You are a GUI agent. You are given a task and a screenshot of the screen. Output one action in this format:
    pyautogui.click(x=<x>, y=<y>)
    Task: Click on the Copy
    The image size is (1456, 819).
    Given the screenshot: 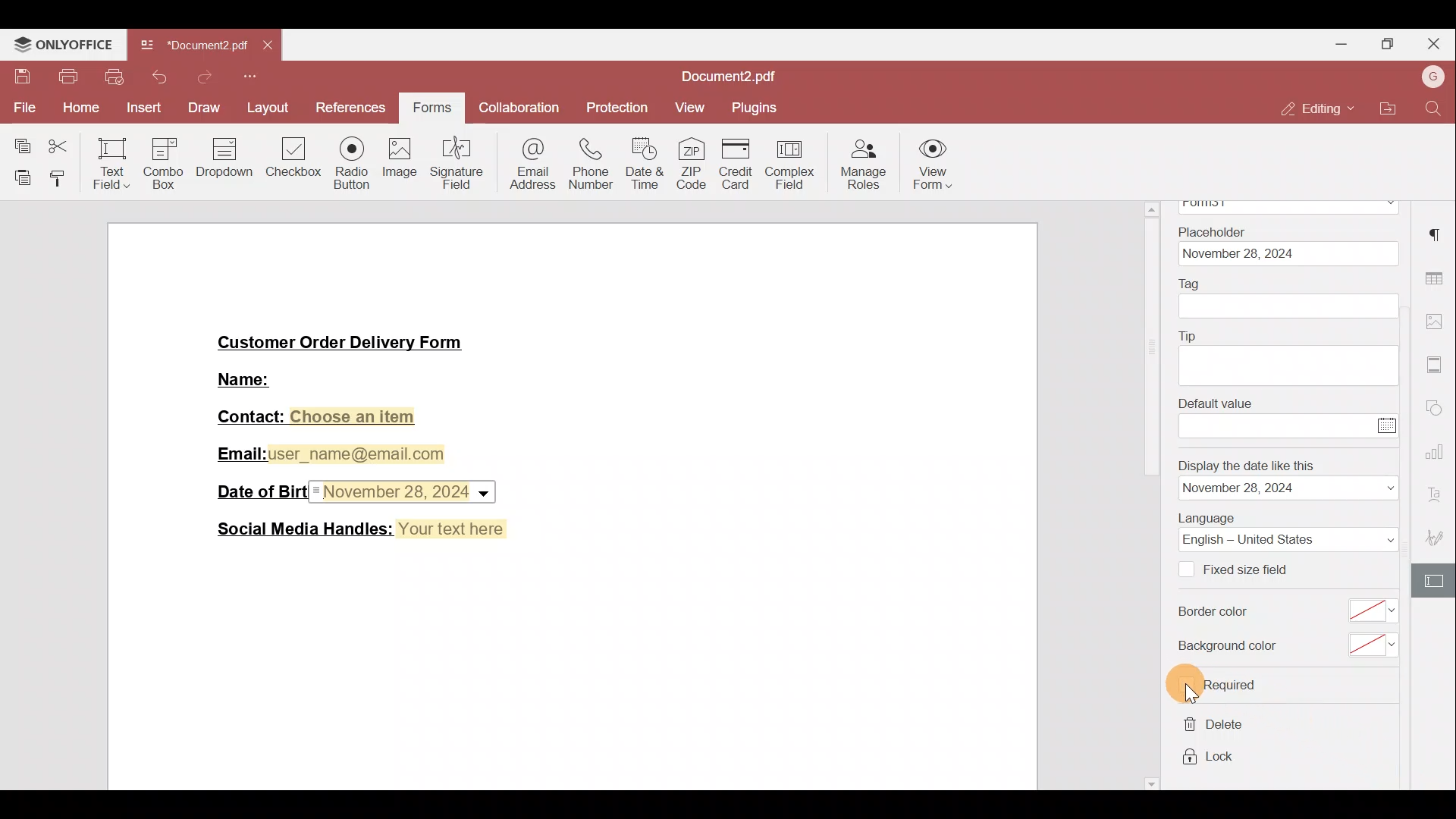 What is the action you would take?
    pyautogui.click(x=19, y=143)
    